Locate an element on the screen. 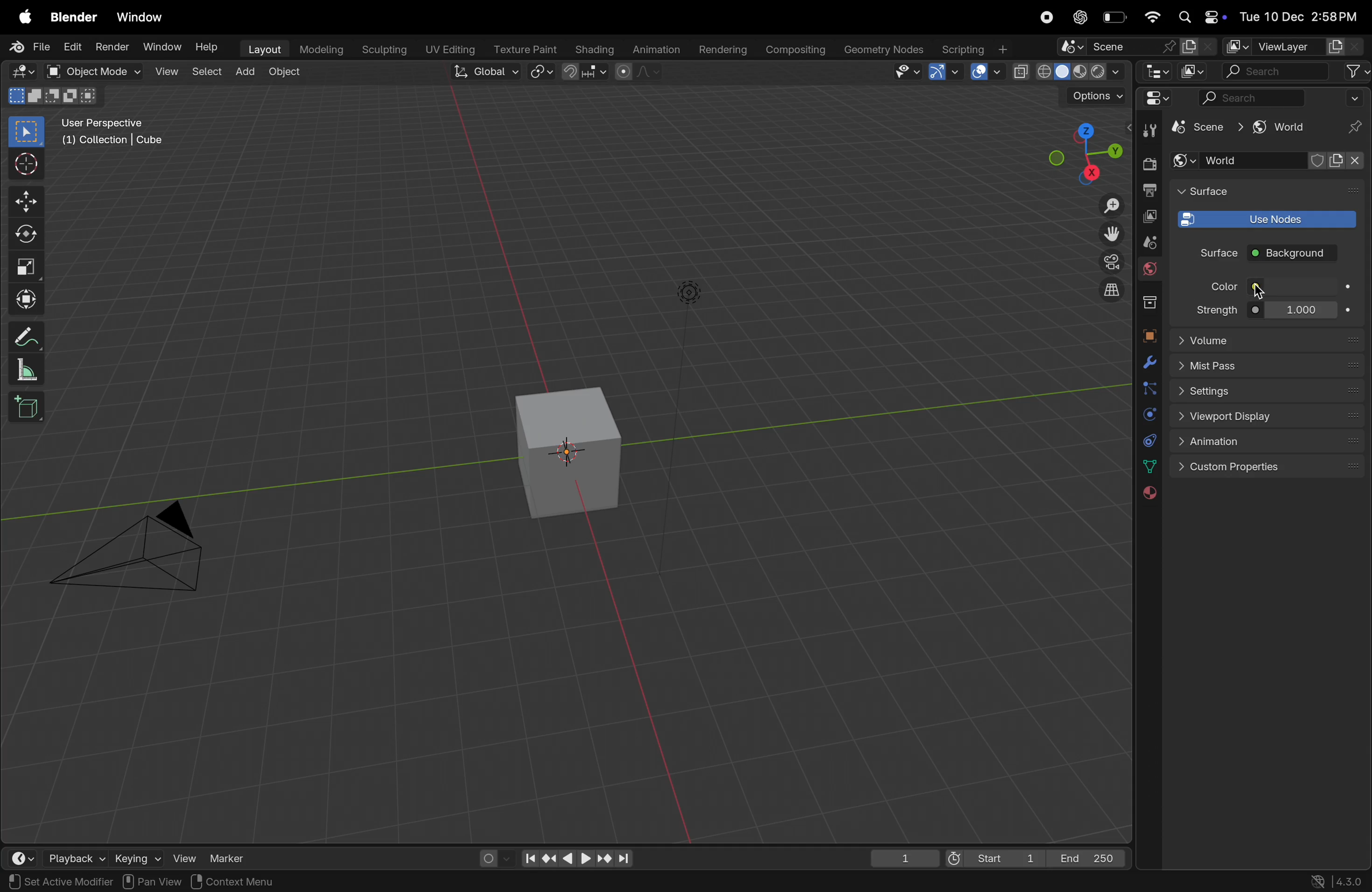 The width and height of the screenshot is (1372, 892). add is located at coordinates (244, 72).